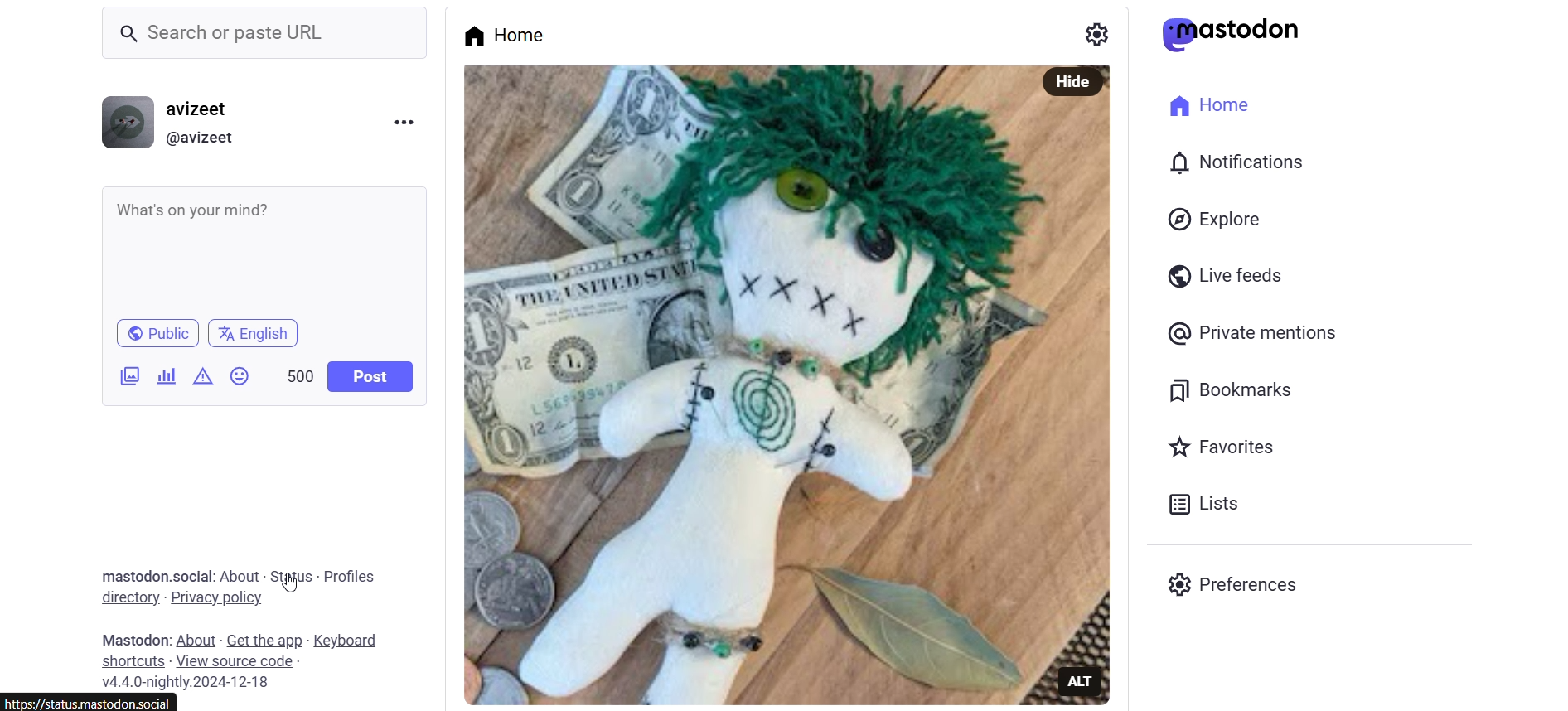 The image size is (1568, 711). I want to click on logo, so click(1226, 31).